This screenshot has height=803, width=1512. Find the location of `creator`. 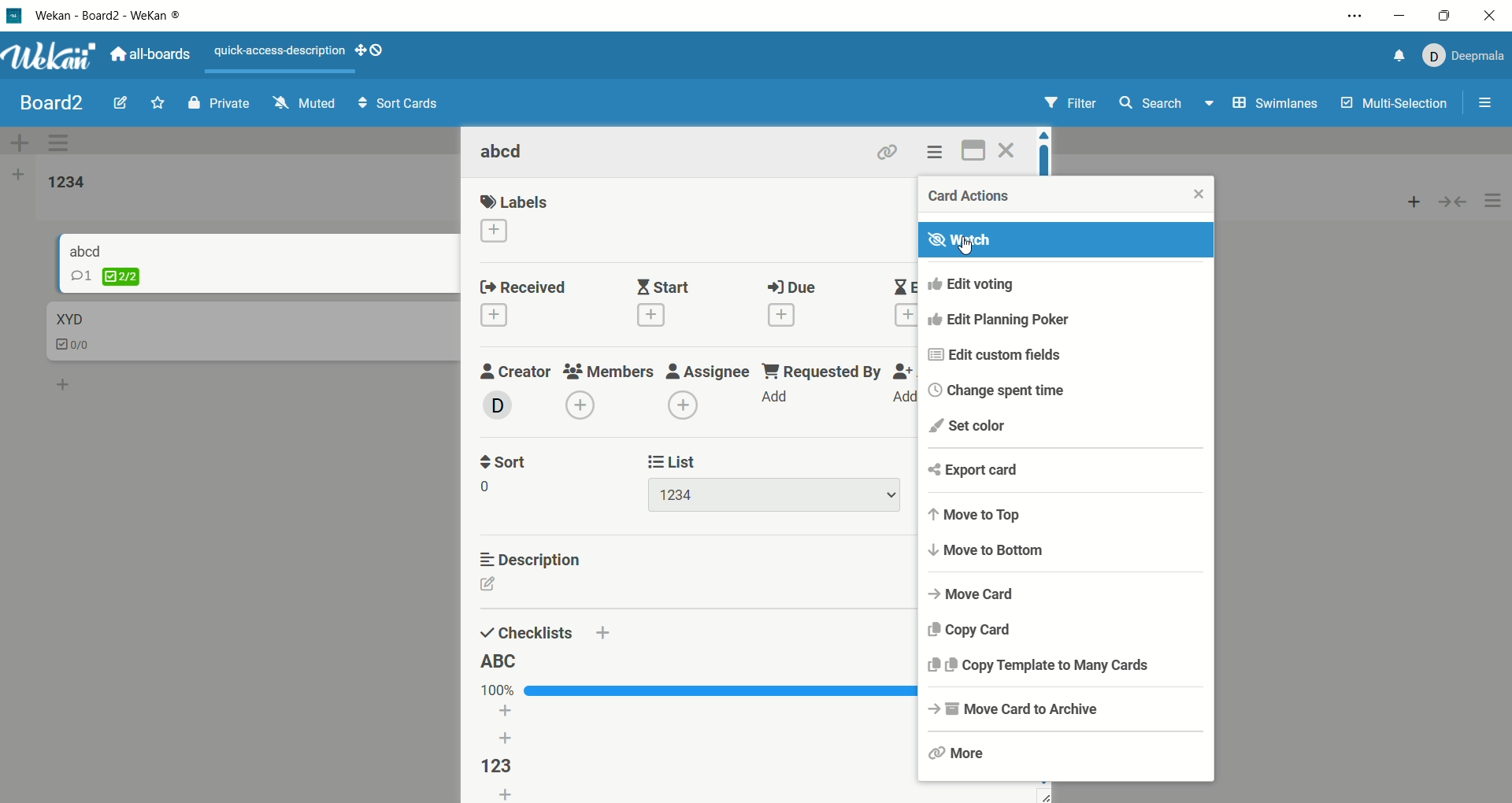

creator is located at coordinates (513, 389).